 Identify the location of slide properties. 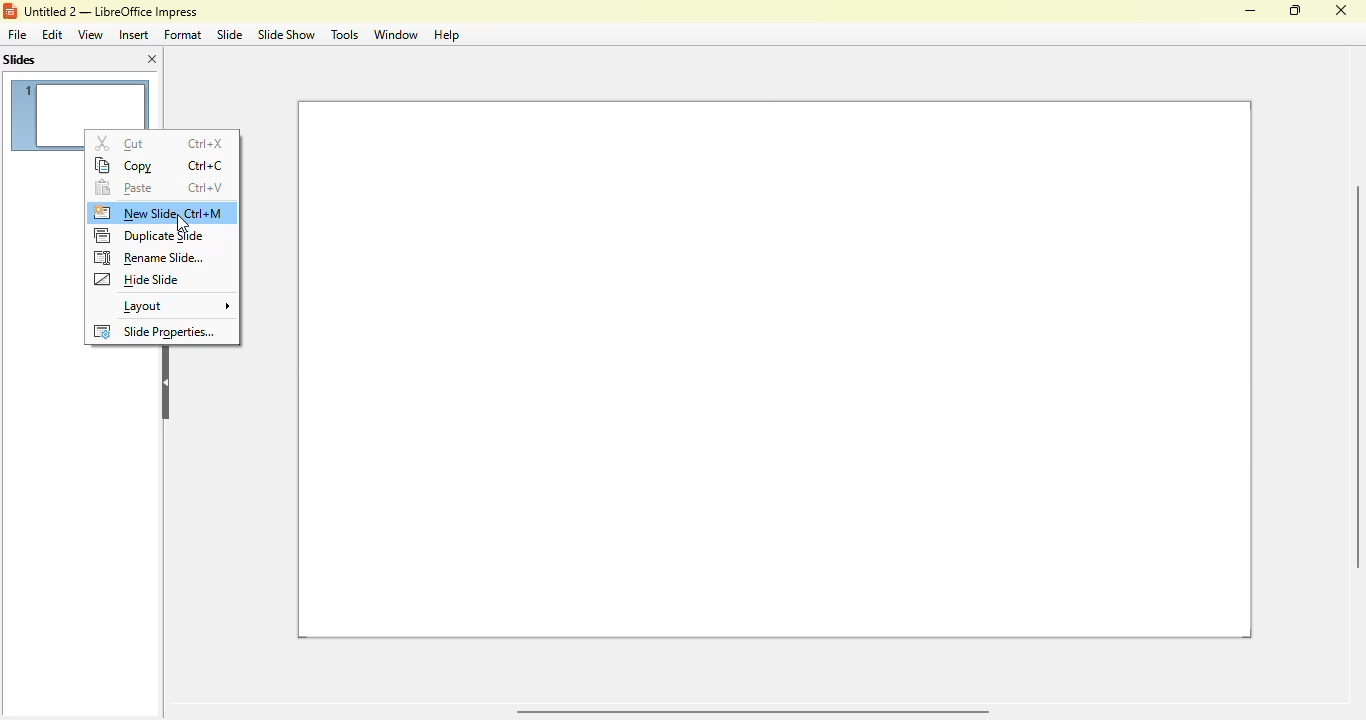
(157, 331).